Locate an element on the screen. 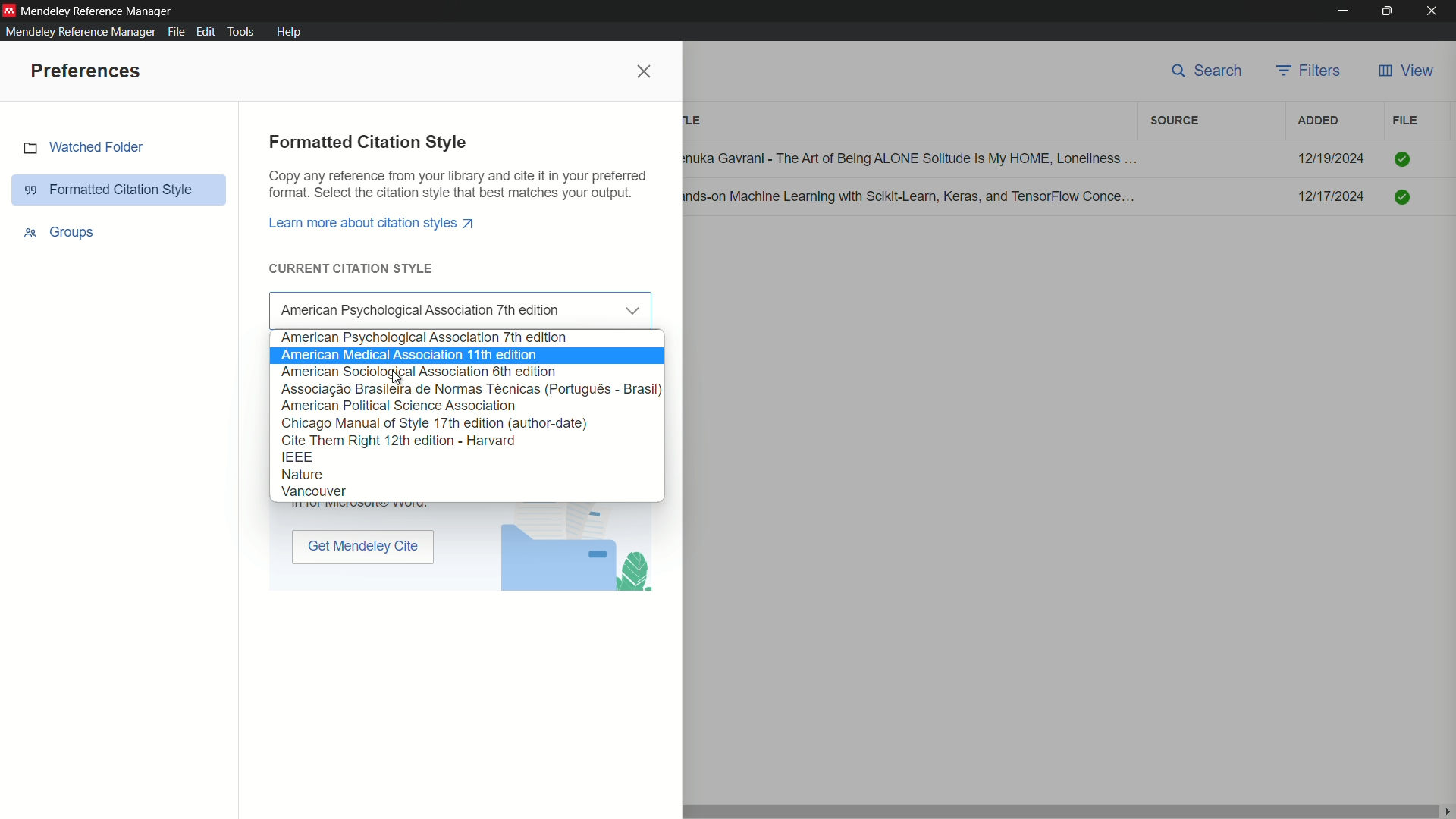  Checked is located at coordinates (1402, 195).